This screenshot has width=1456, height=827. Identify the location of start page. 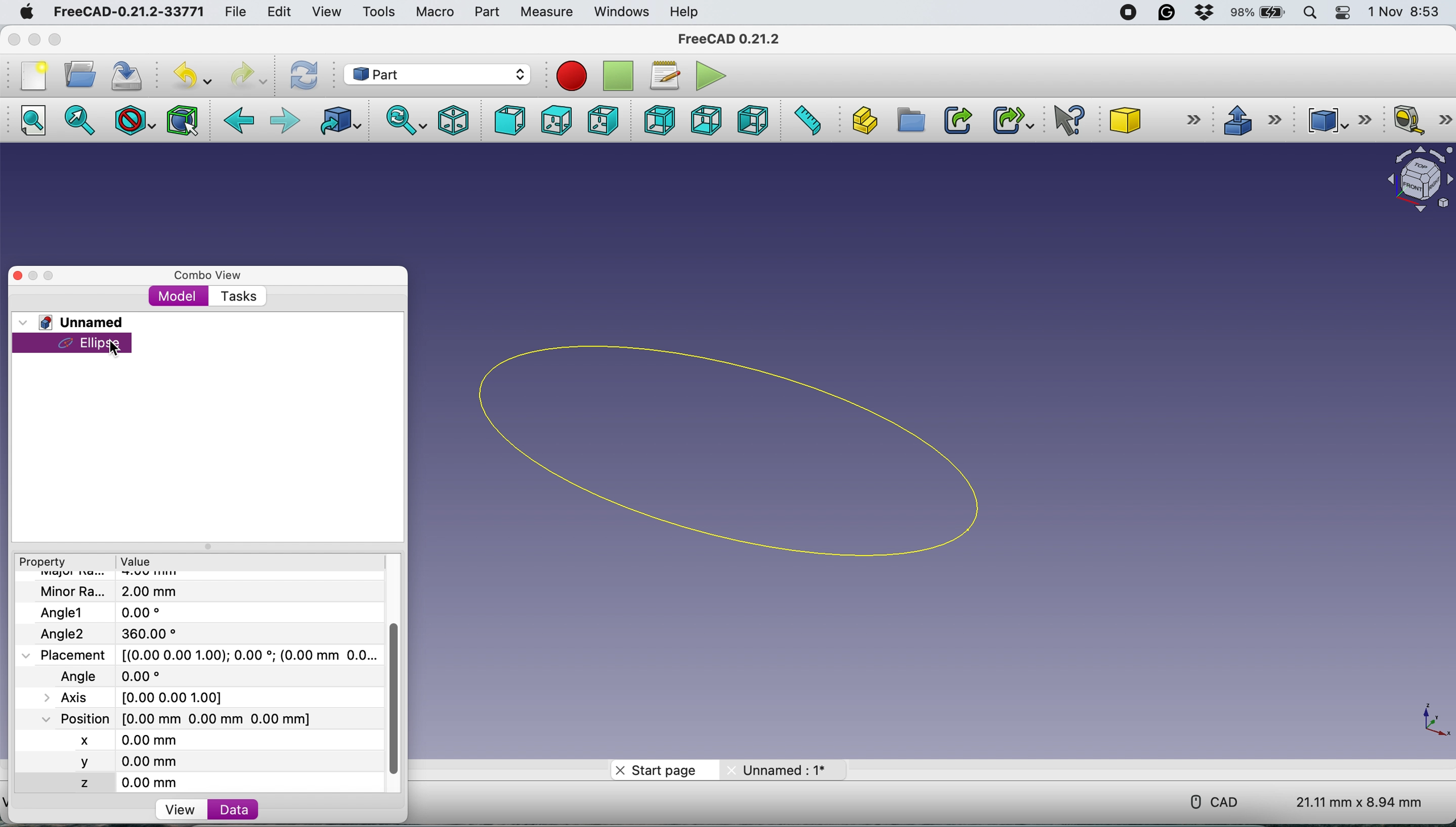
(660, 770).